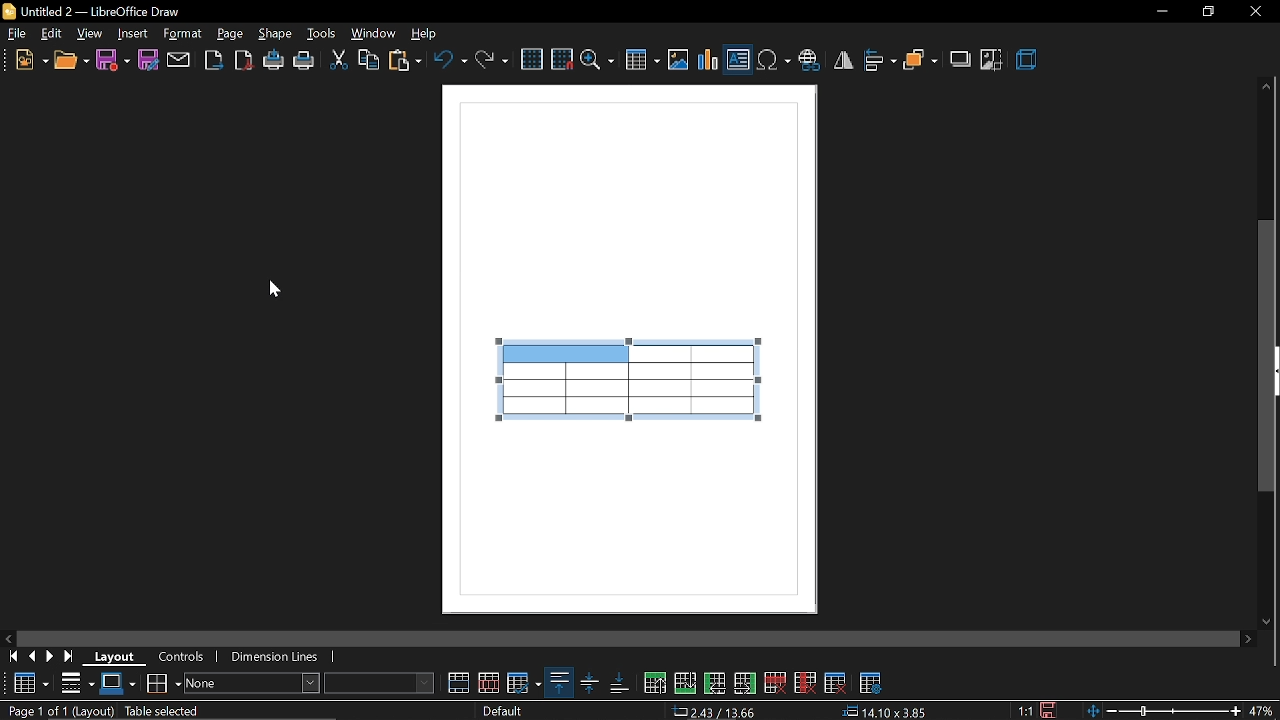  Describe the element at coordinates (1266, 84) in the screenshot. I see `Move up` at that location.